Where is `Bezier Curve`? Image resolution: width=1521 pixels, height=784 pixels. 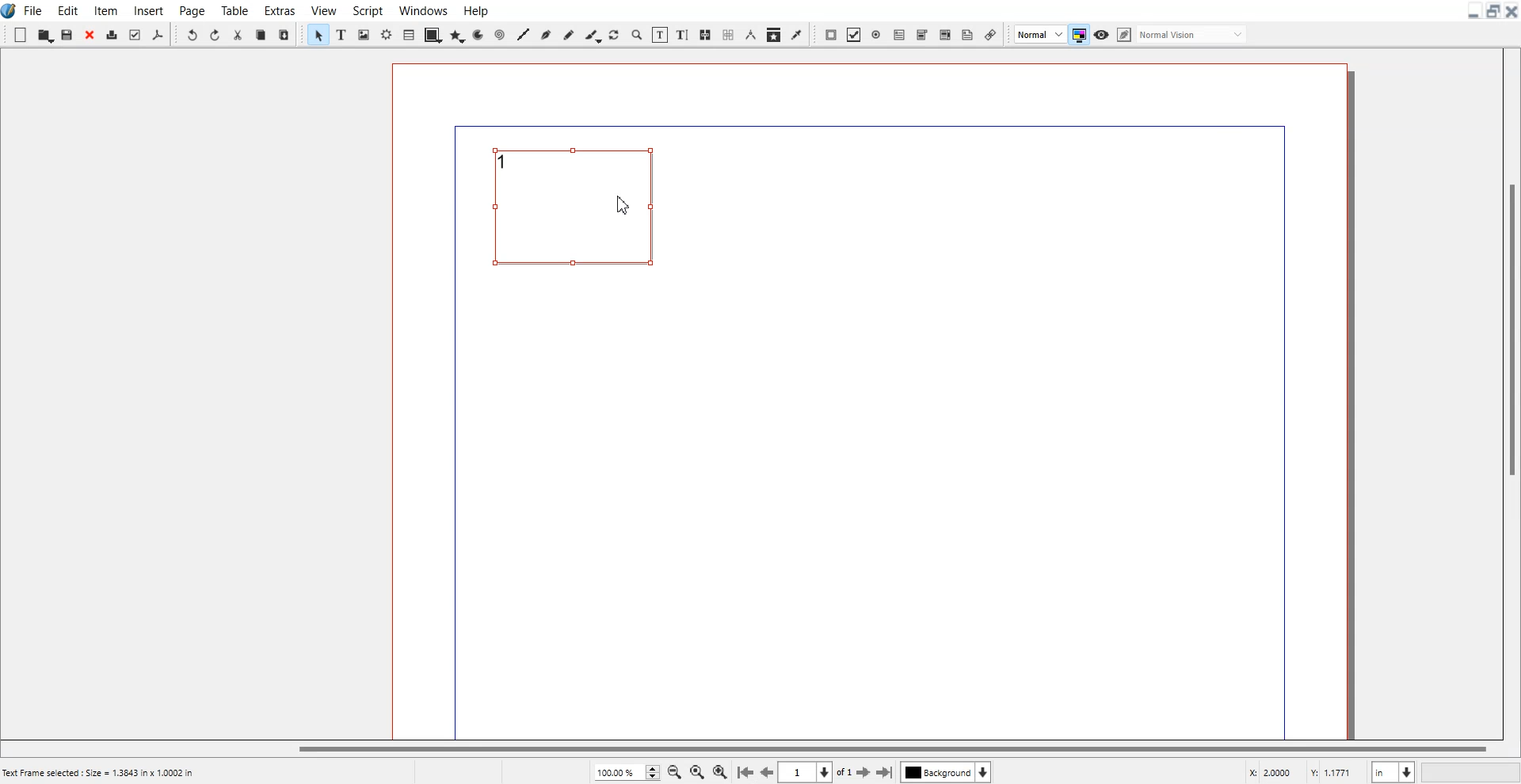 Bezier Curve is located at coordinates (546, 33).